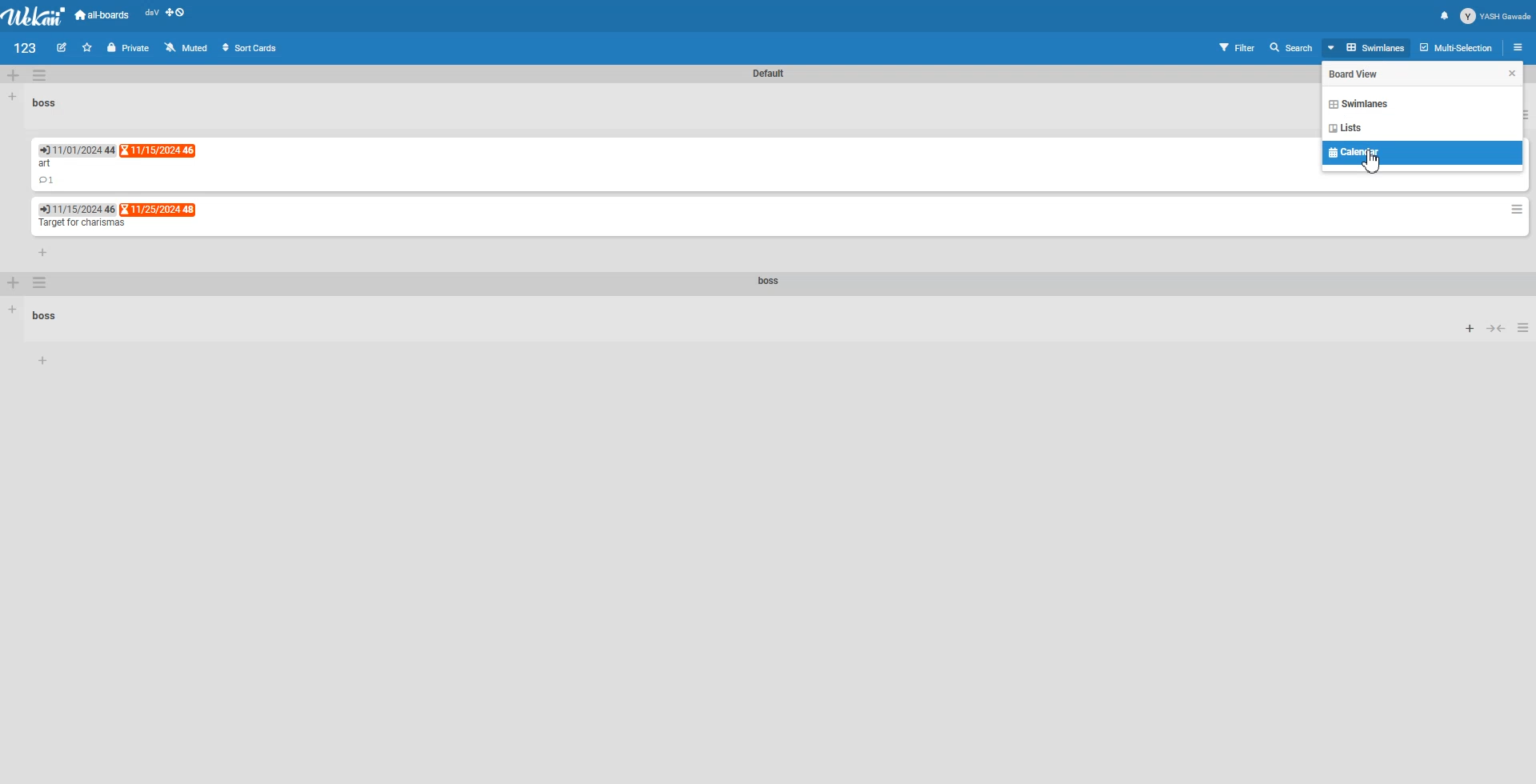  Describe the element at coordinates (128, 48) in the screenshot. I see `Private` at that location.